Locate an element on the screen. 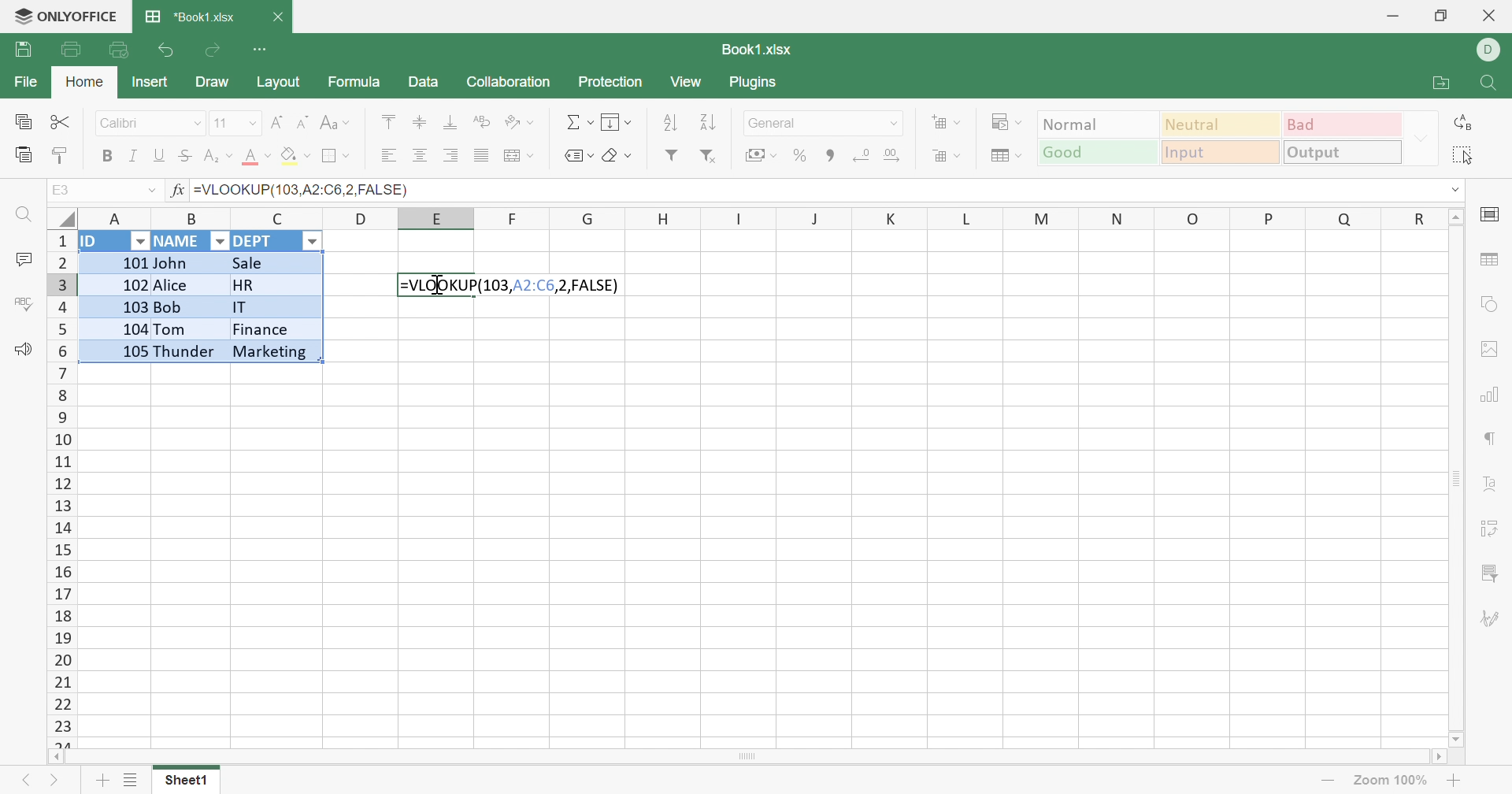 The image size is (1512, 794). cell settings is located at coordinates (1494, 216).